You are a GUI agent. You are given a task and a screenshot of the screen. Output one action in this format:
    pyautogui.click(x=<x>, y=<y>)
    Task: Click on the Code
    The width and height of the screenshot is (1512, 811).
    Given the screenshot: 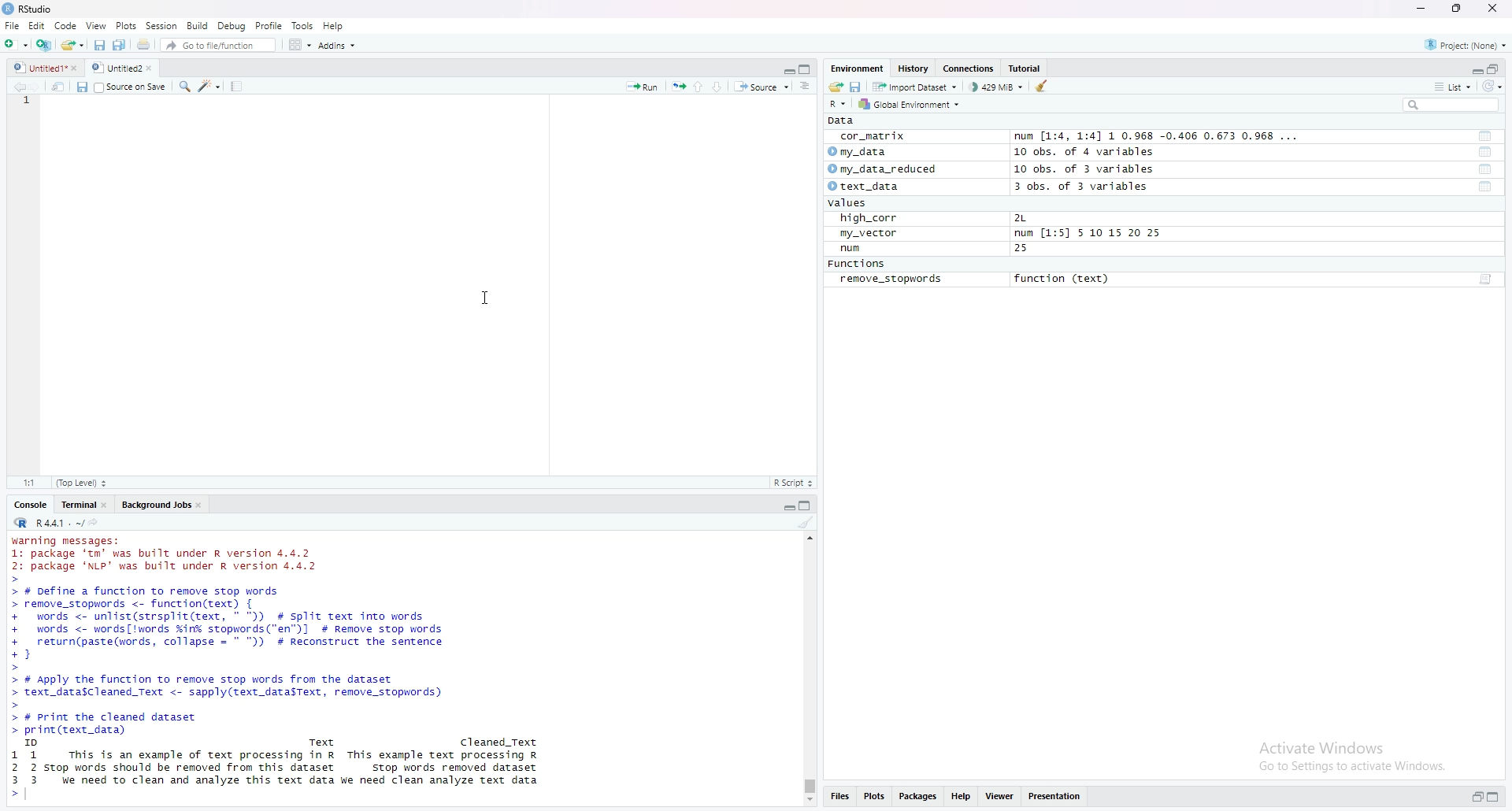 What is the action you would take?
    pyautogui.click(x=68, y=26)
    